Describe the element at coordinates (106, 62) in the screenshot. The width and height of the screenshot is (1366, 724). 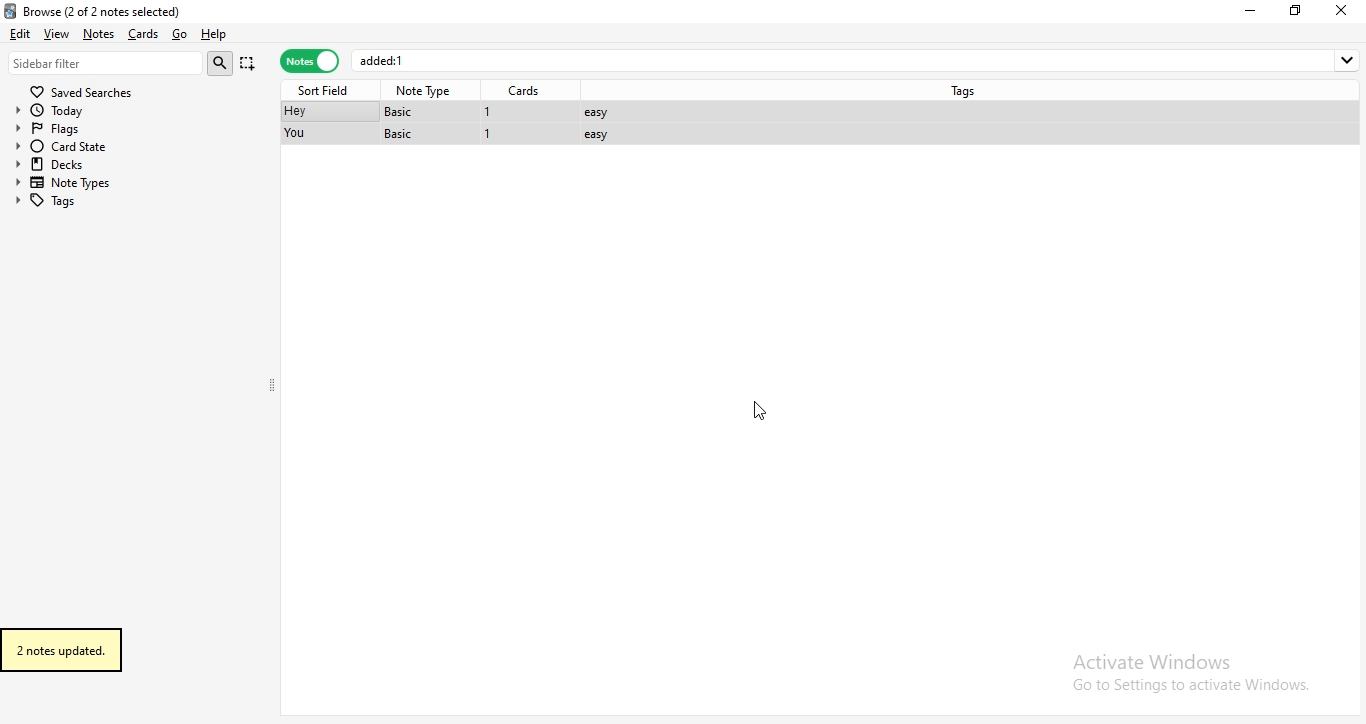
I see `sidebar filter` at that location.